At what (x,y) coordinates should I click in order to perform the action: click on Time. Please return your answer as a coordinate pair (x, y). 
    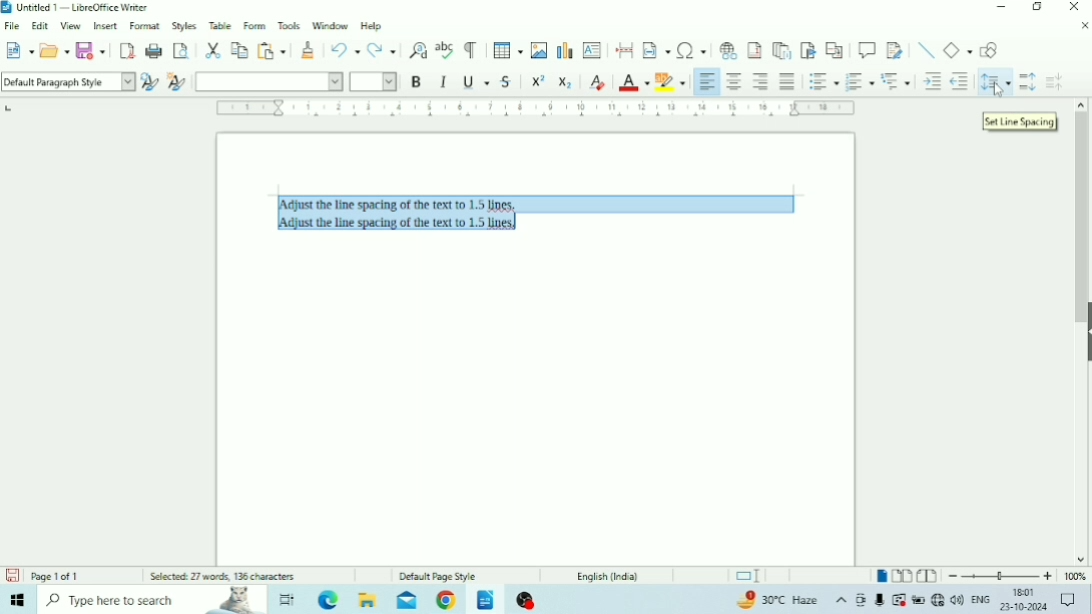
    Looking at the image, I should click on (1023, 591).